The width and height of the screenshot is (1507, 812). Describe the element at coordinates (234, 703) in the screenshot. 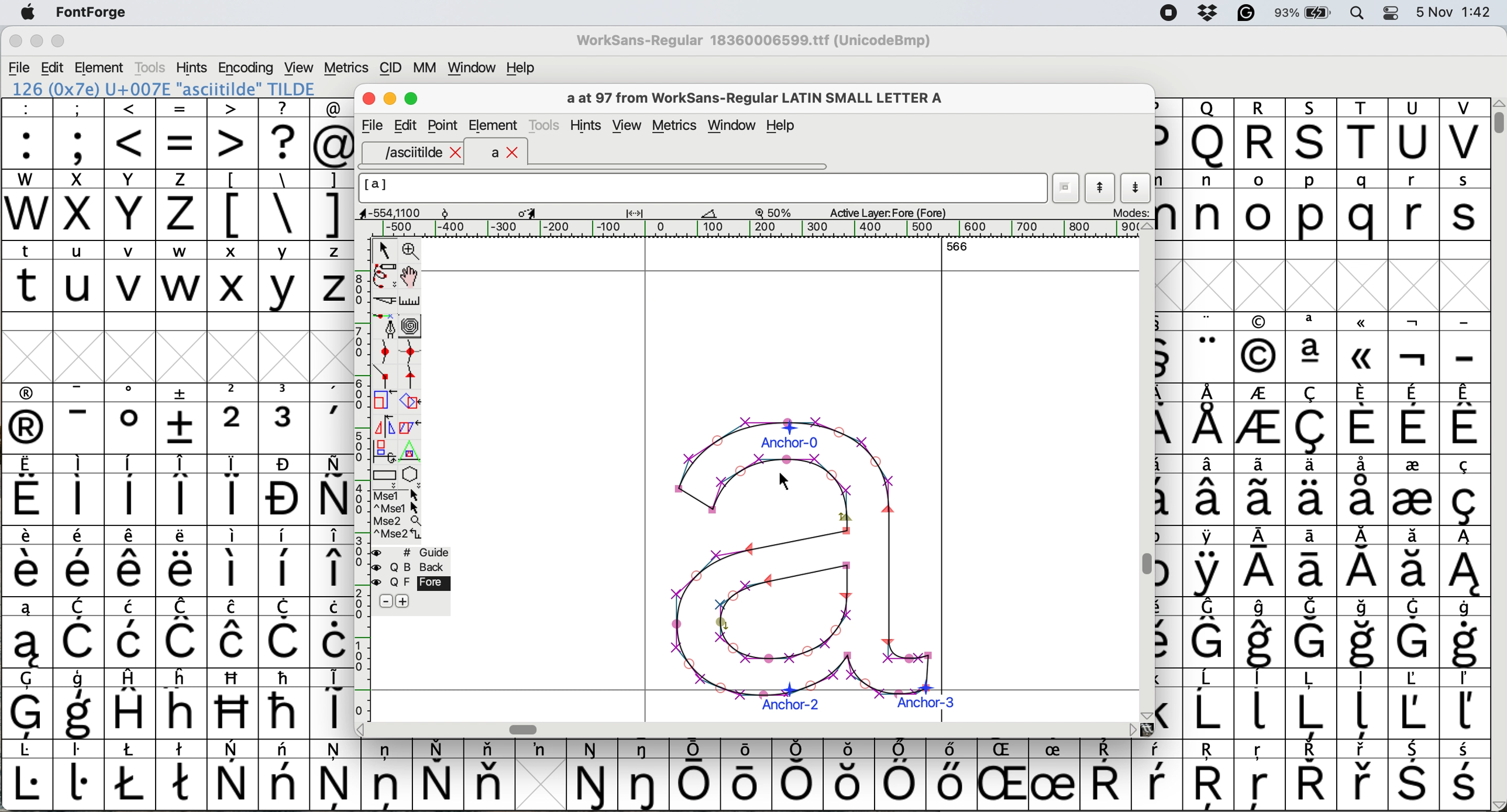

I see `` at that location.